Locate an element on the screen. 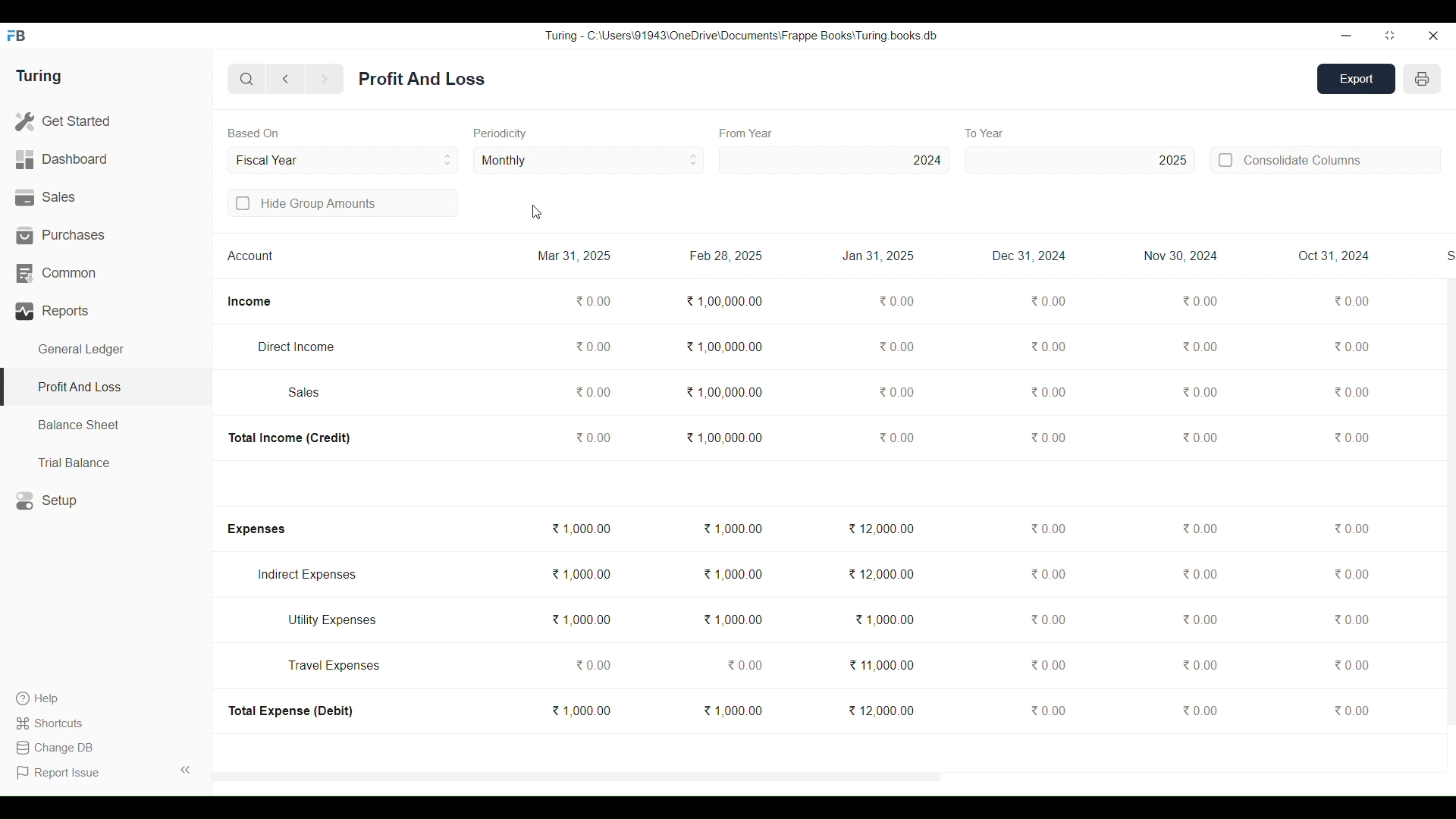 The height and width of the screenshot is (819, 1456). 1,000.00 is located at coordinates (732, 574).